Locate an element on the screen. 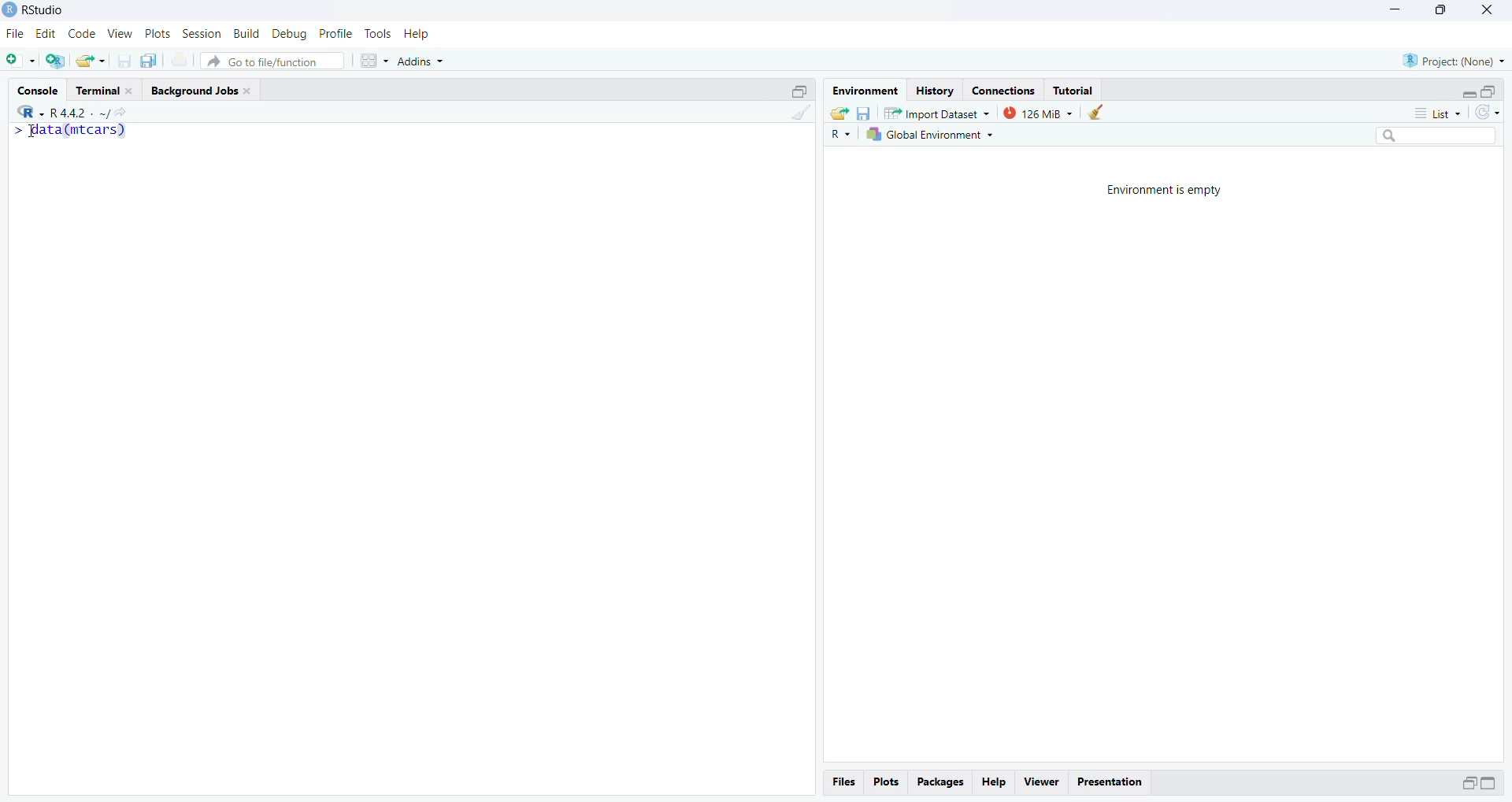  global environment is located at coordinates (927, 135).